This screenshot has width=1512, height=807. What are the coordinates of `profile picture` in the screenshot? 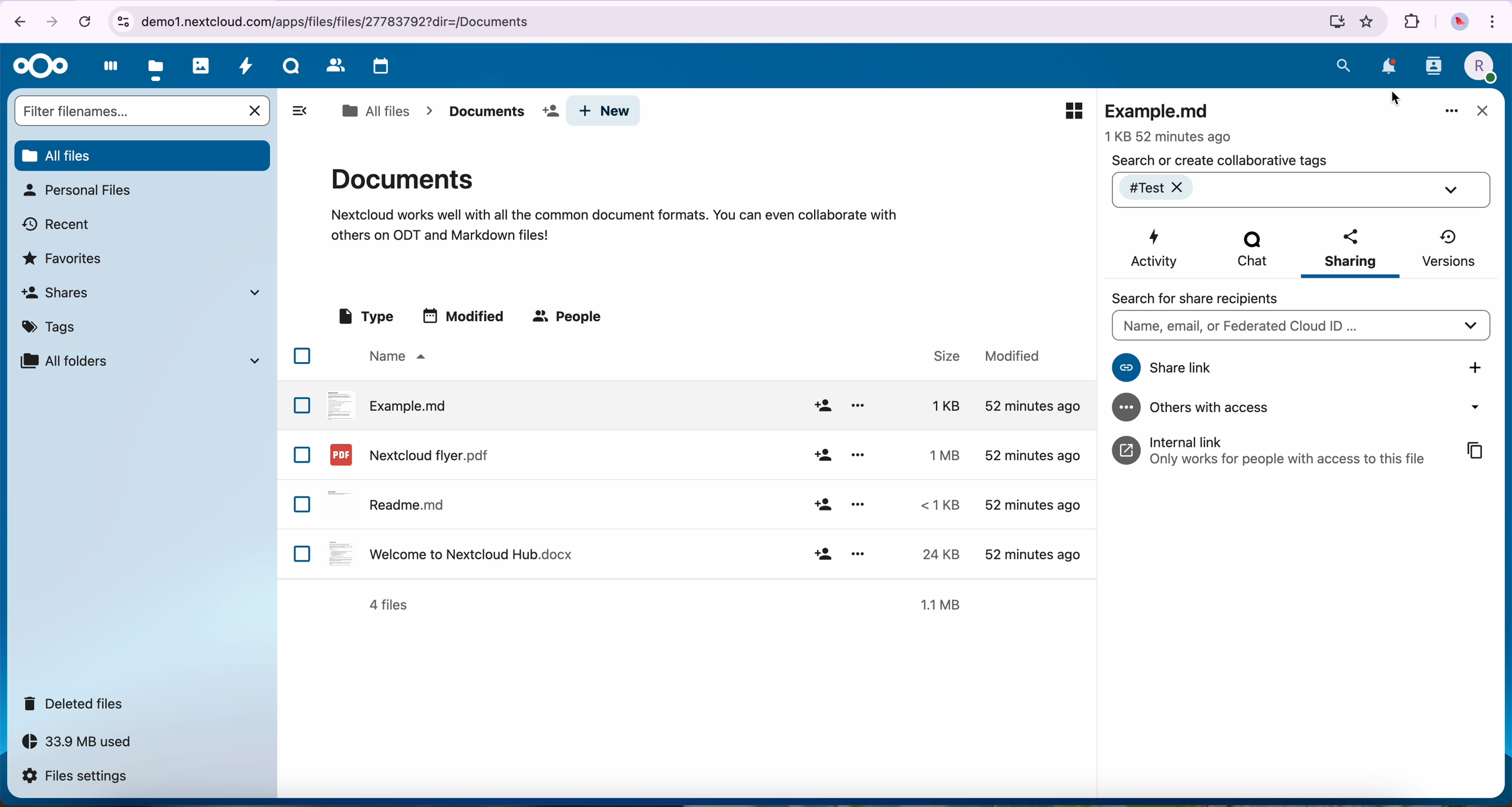 It's located at (1458, 22).